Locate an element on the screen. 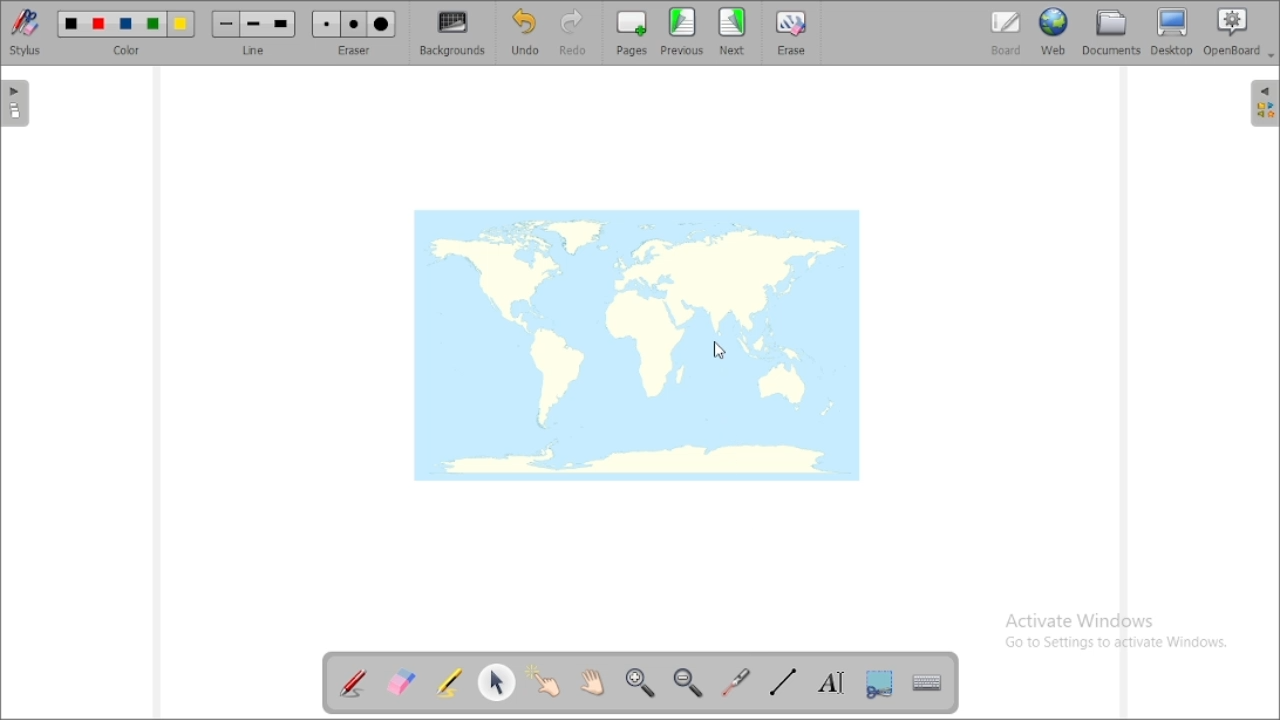  eraser is located at coordinates (354, 33).